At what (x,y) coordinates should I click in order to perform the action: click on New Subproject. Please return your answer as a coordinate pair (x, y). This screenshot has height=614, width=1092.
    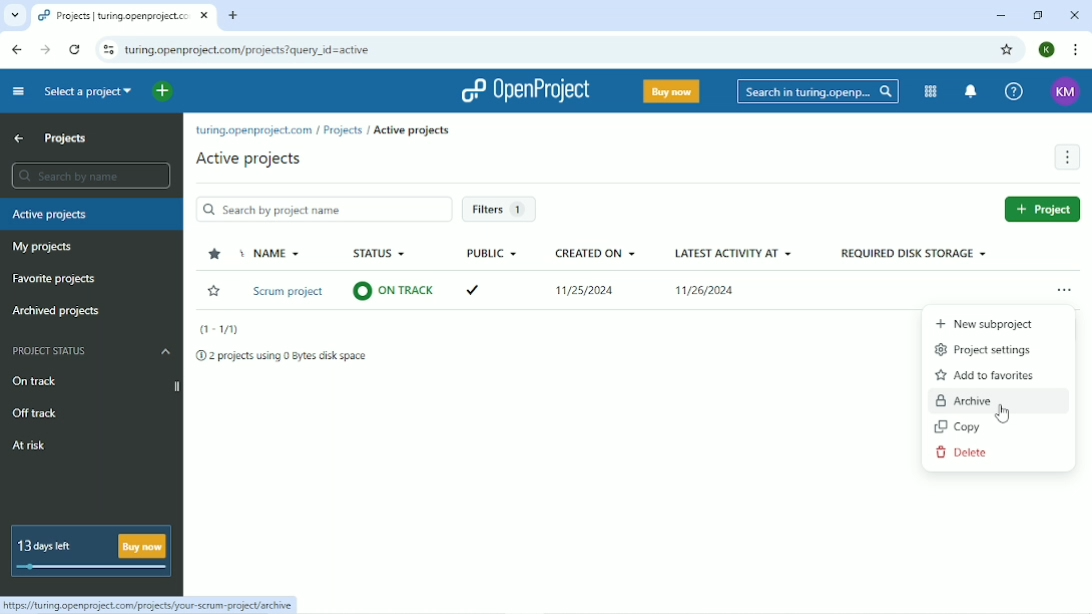
    Looking at the image, I should click on (984, 323).